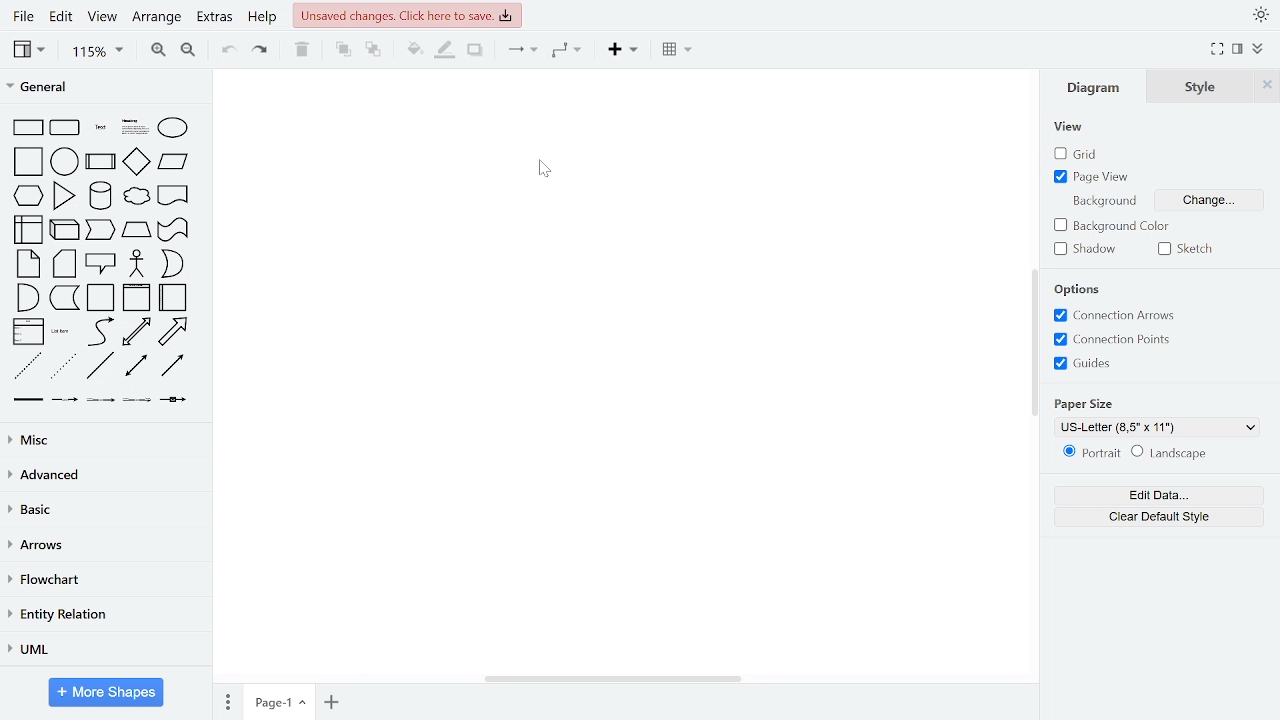 Image resolution: width=1280 pixels, height=720 pixels. I want to click on bidirectional connector, so click(138, 366).